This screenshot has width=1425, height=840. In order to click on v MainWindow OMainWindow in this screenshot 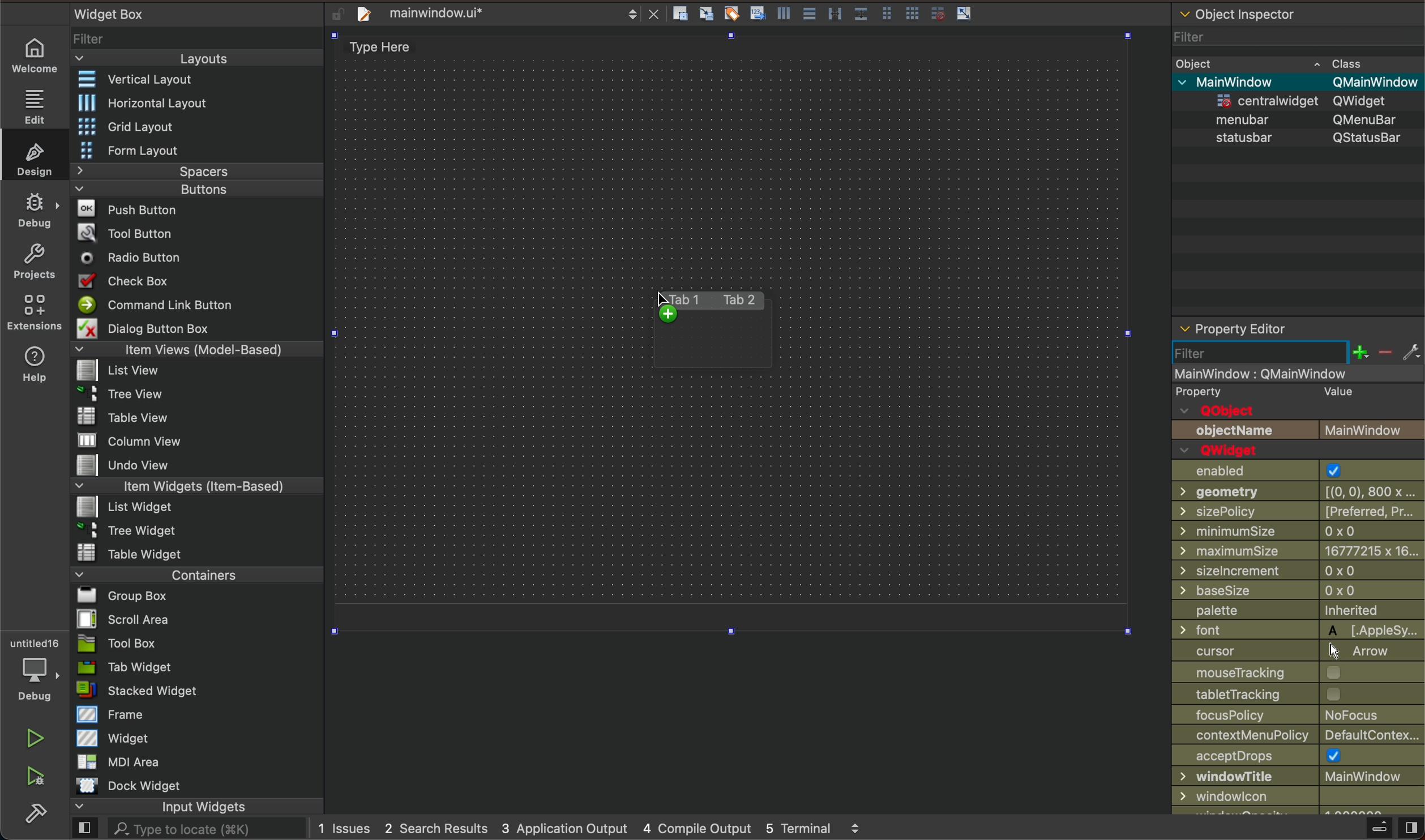, I will do `click(1299, 80)`.